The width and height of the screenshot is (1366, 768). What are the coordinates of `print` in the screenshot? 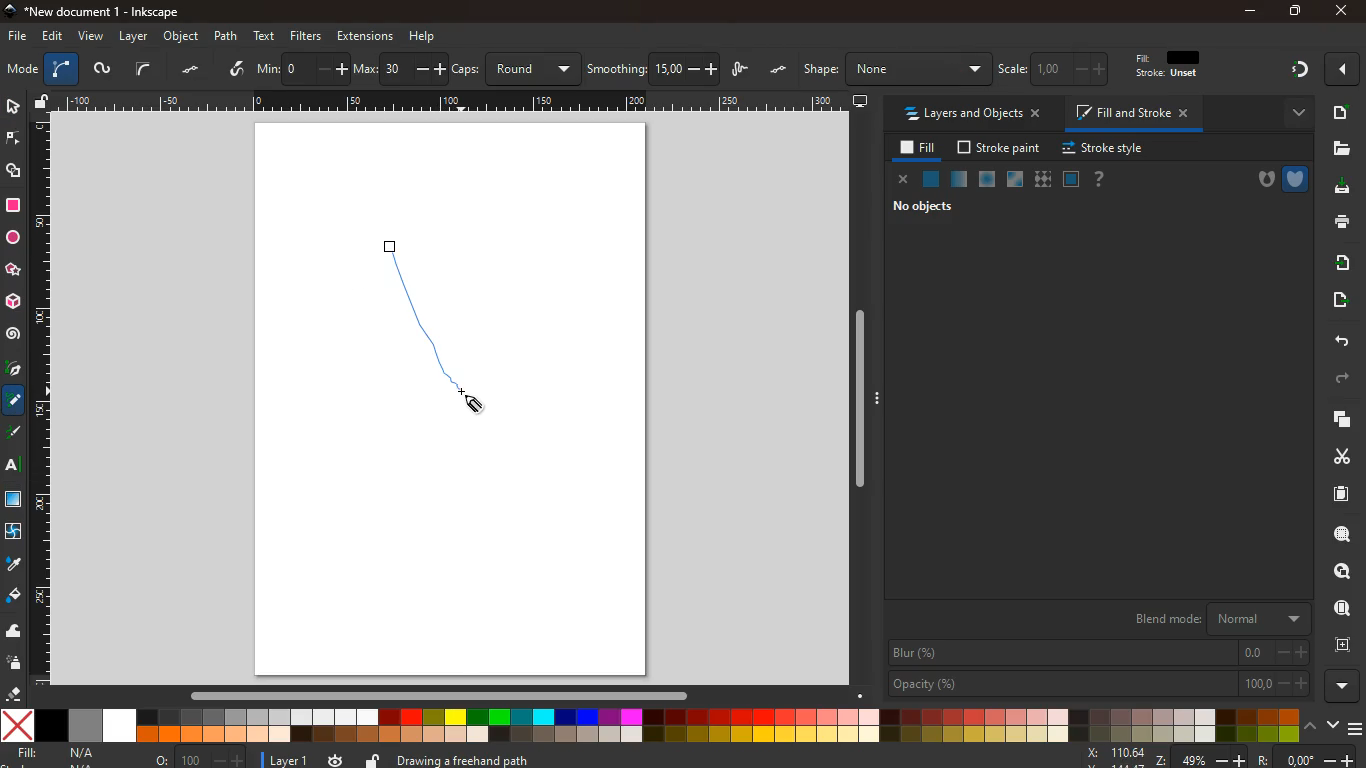 It's located at (1338, 221).